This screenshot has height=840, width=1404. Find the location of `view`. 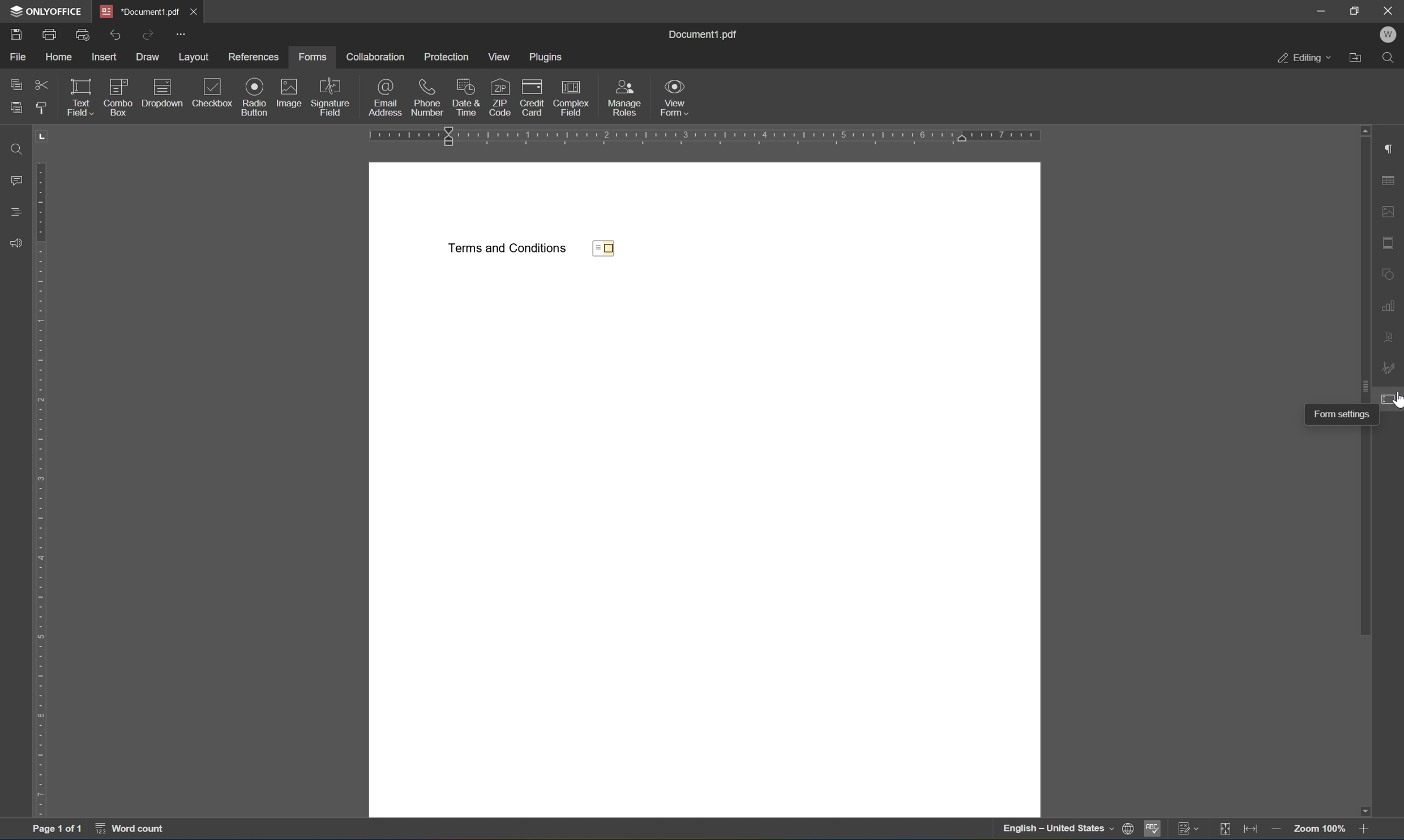

view is located at coordinates (500, 57).